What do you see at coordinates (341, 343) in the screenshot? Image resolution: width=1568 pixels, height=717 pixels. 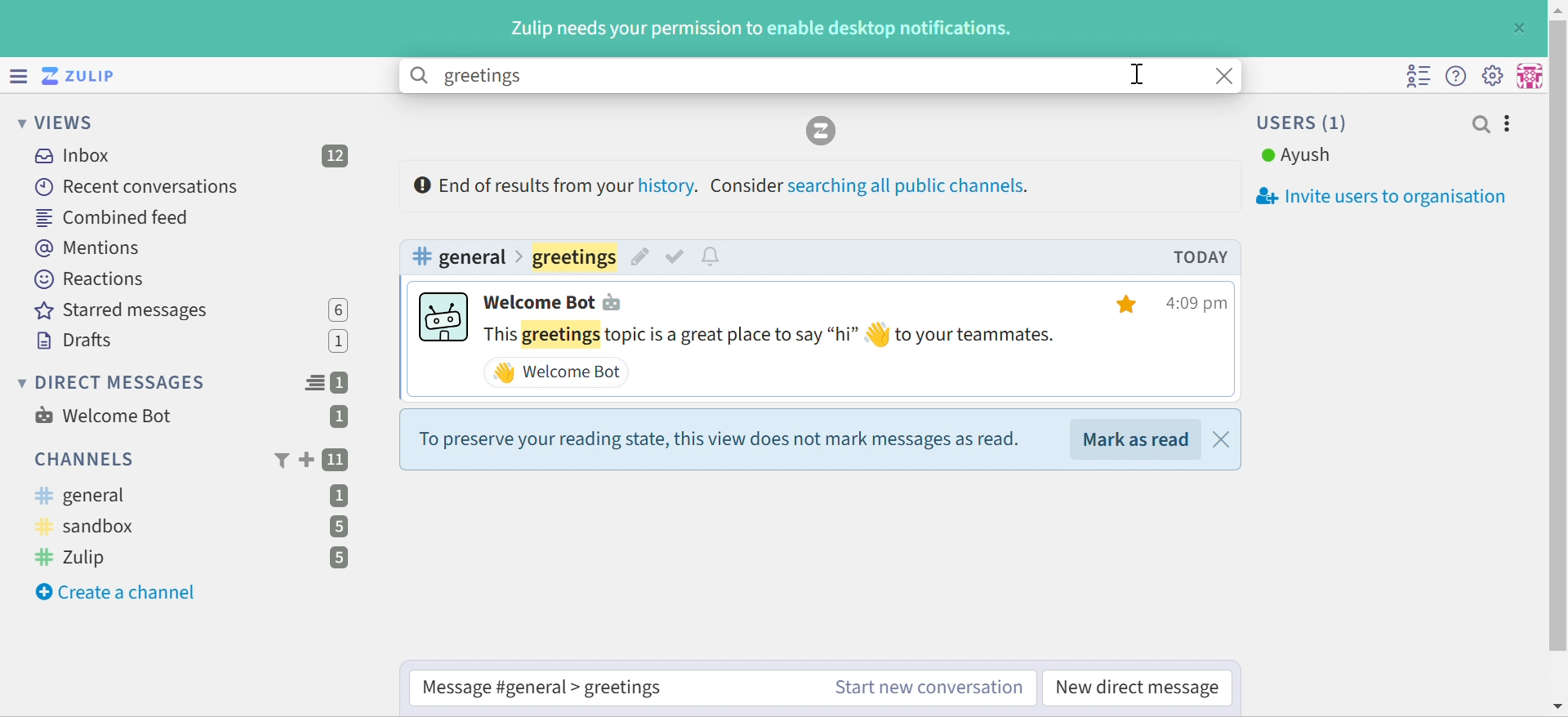 I see `1` at bounding box center [341, 343].